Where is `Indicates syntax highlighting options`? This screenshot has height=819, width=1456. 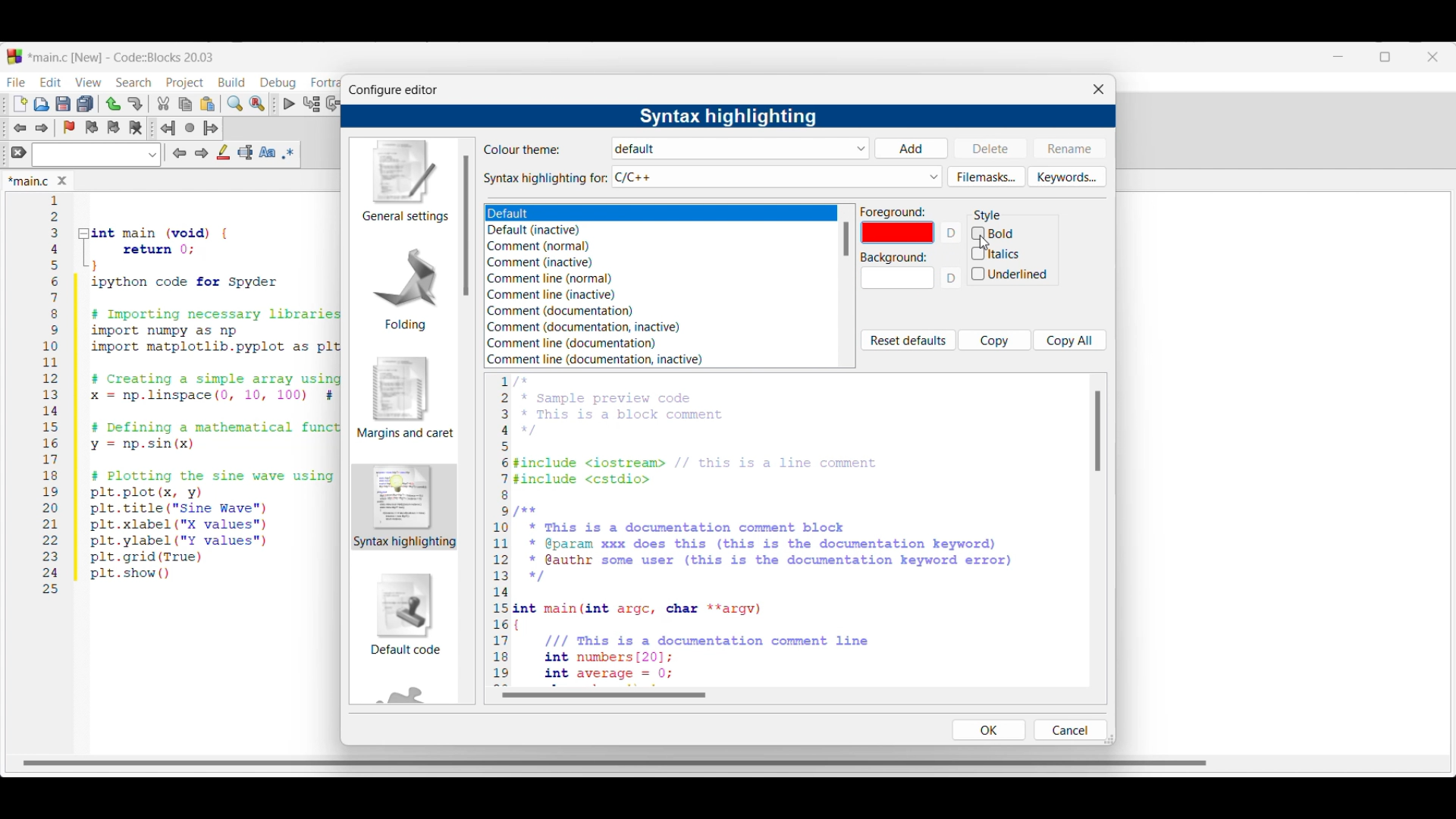 Indicates syntax highlighting options is located at coordinates (546, 179).